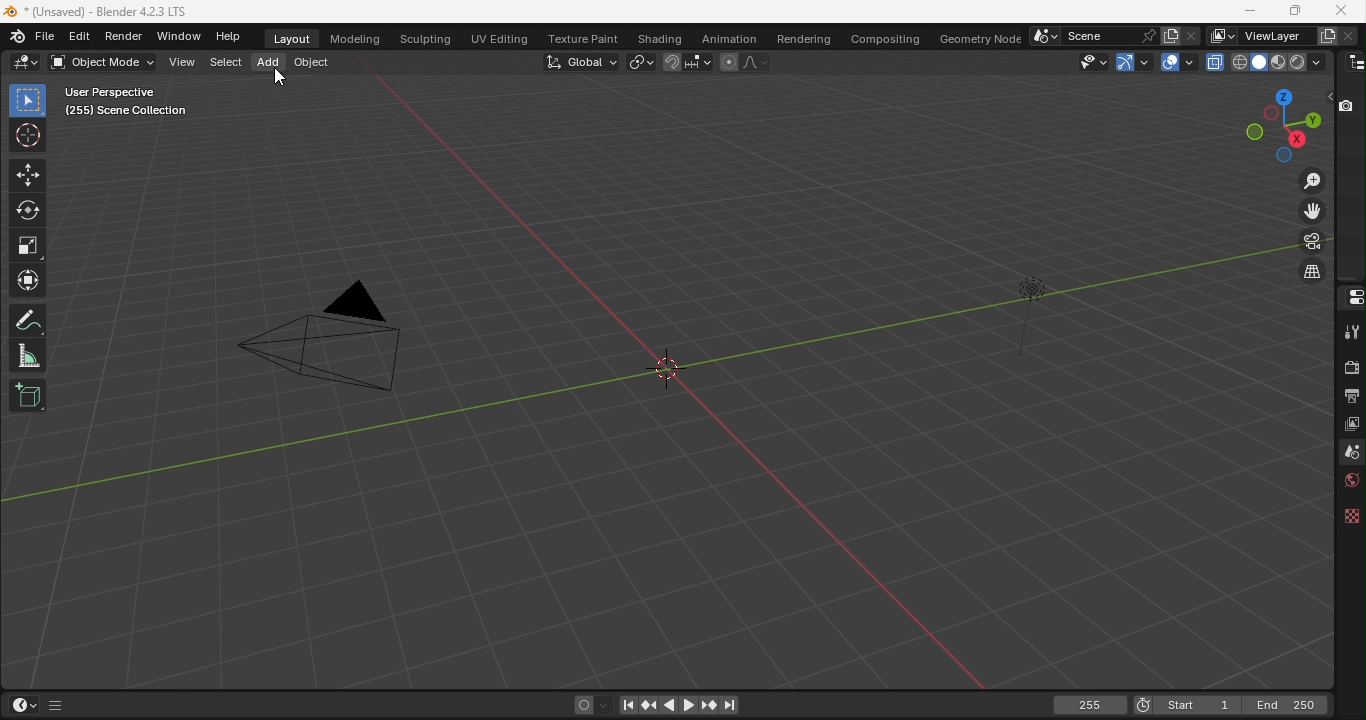  Describe the element at coordinates (58, 706) in the screenshot. I see `GUI show/hide` at that location.